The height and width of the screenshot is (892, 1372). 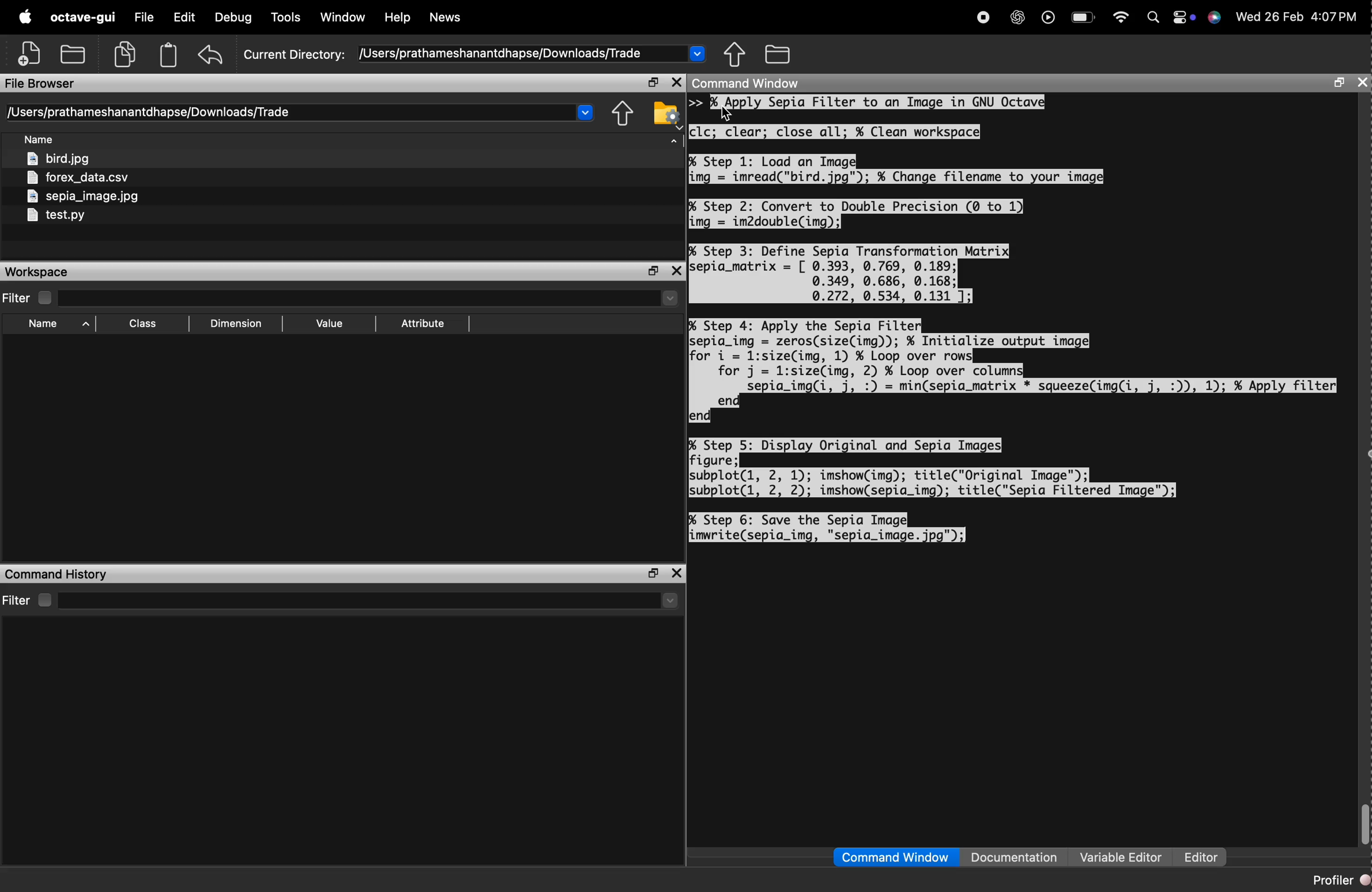 I want to click on undo, so click(x=210, y=55).